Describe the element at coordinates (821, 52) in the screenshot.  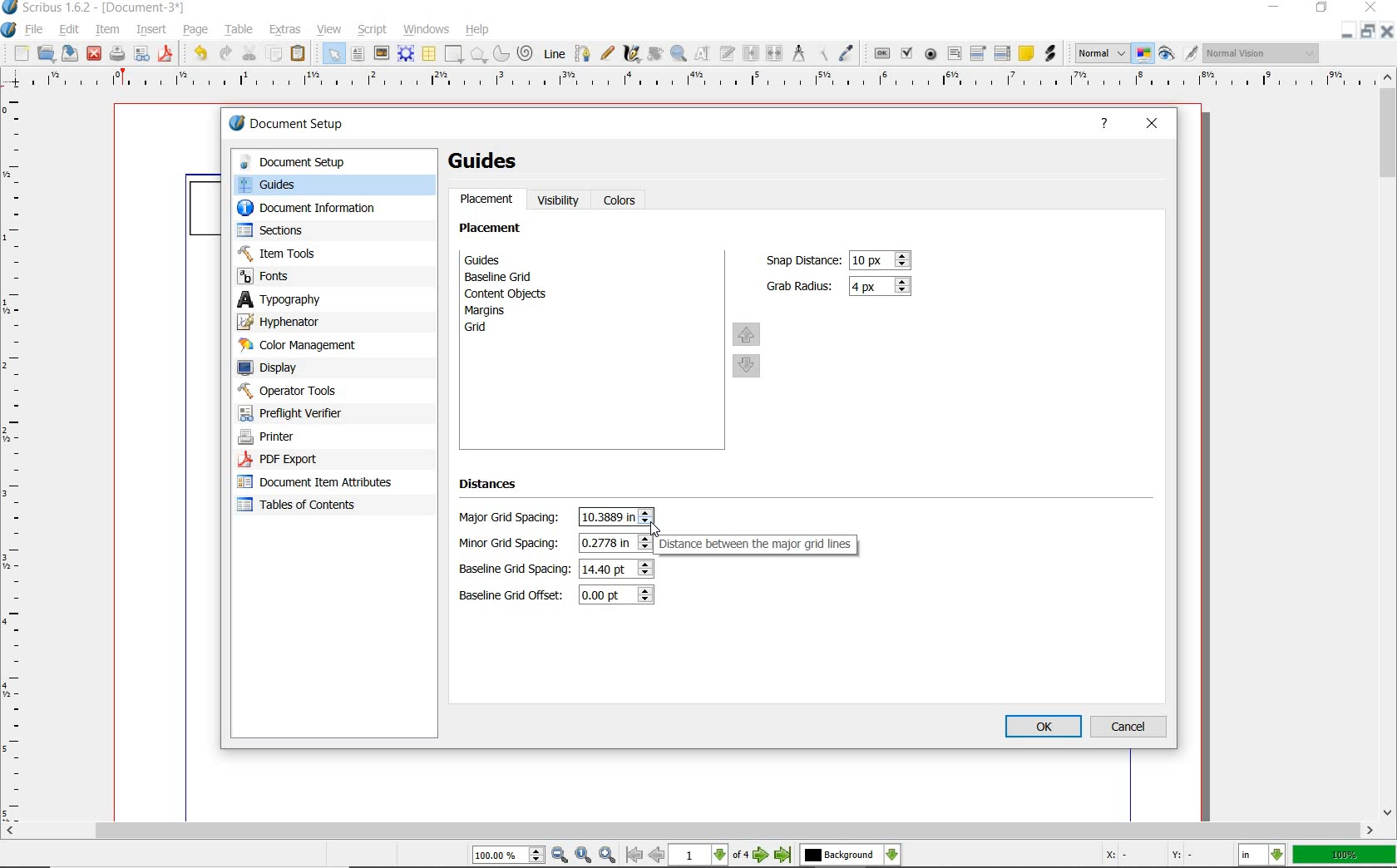
I see `copy item properties` at that location.